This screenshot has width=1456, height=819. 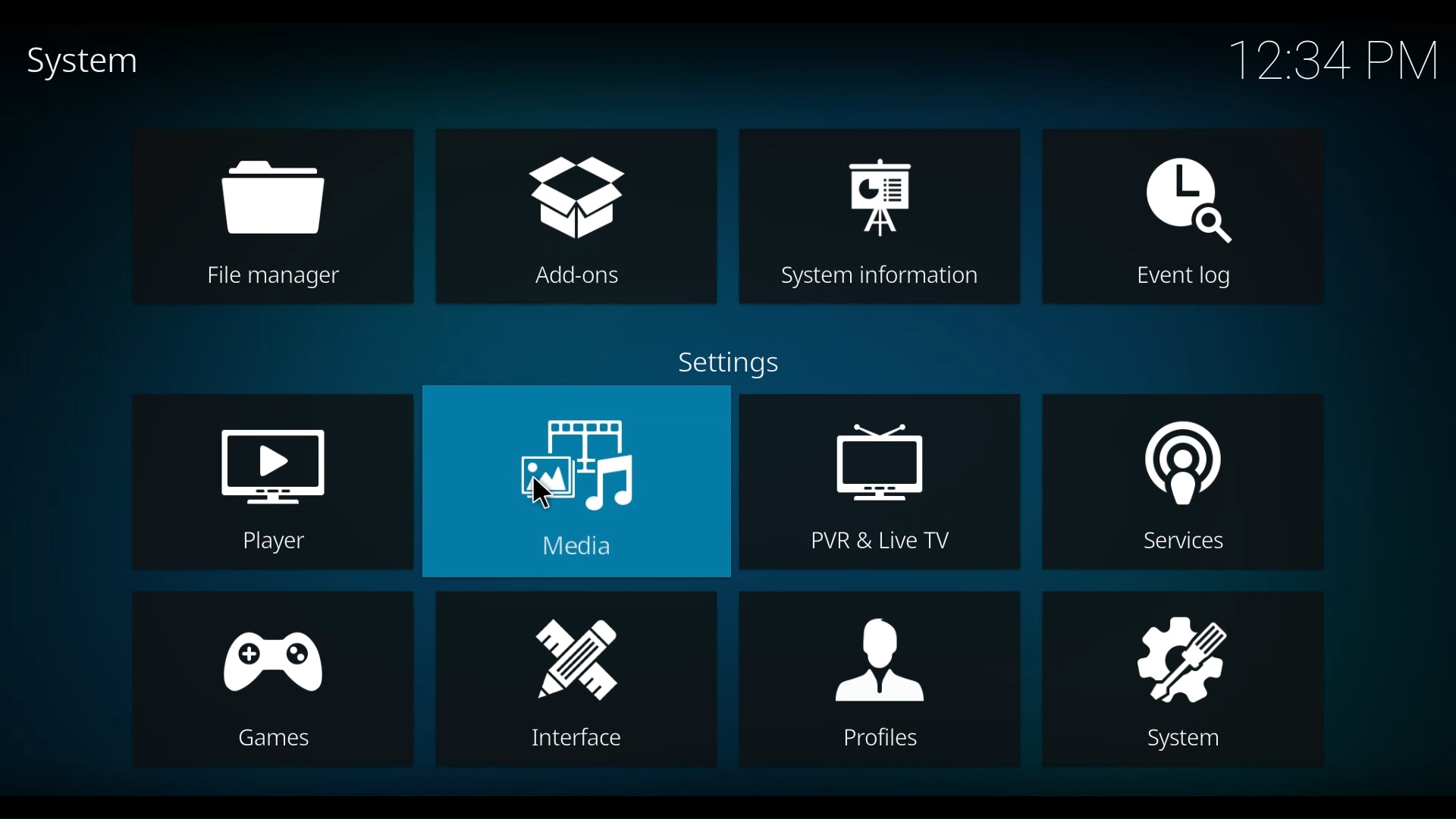 I want to click on Interface, so click(x=574, y=680).